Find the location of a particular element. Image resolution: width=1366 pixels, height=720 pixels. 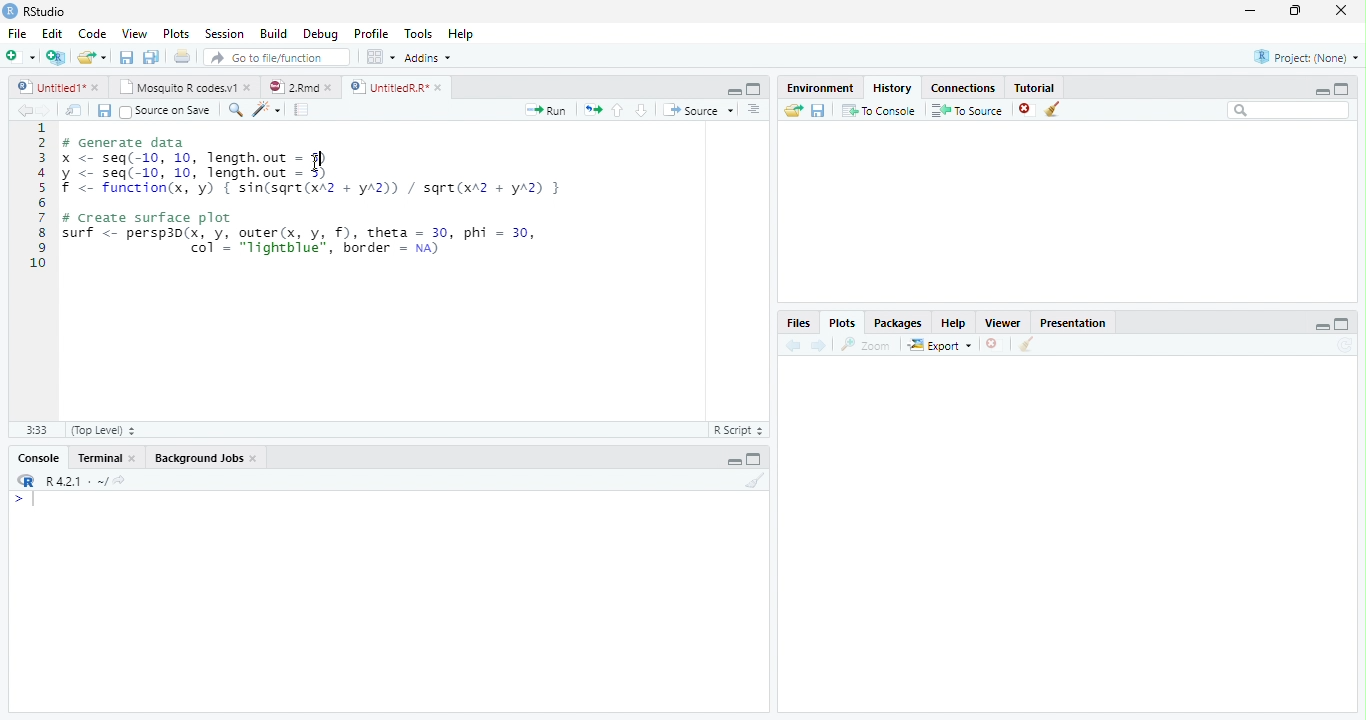

Create a project is located at coordinates (54, 57).